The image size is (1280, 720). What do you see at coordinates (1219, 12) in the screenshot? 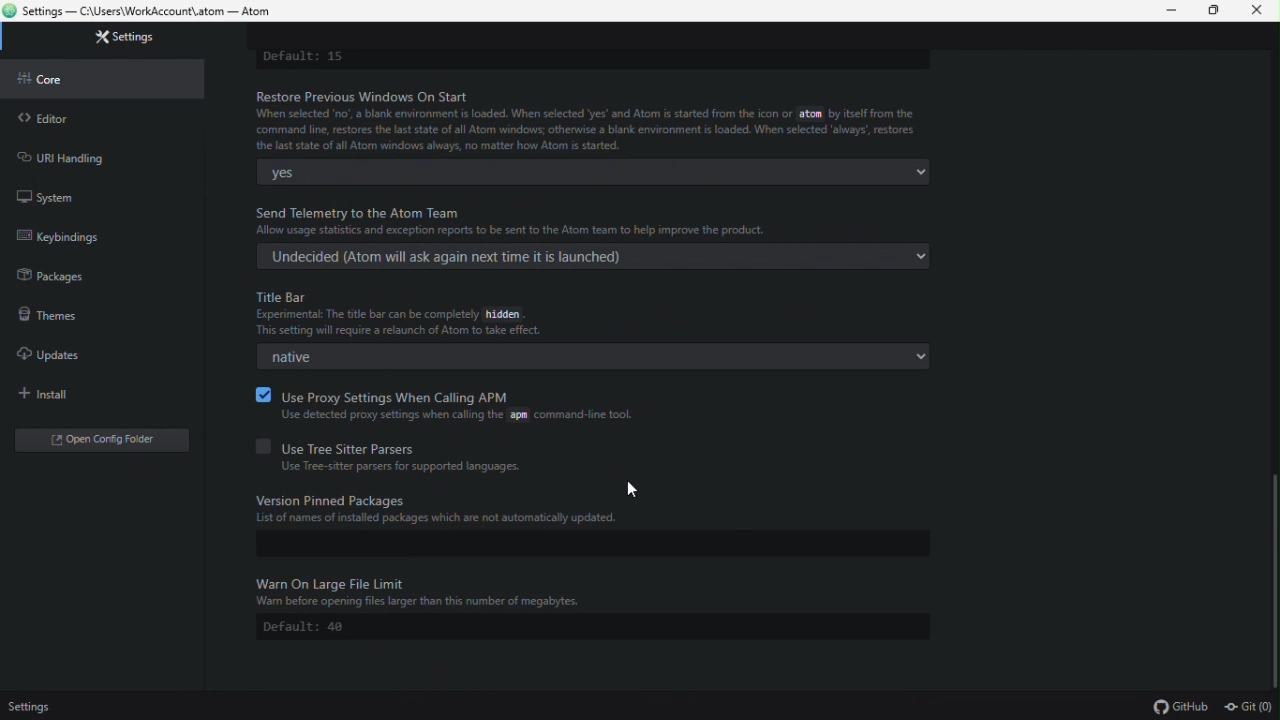
I see `restore` at bounding box center [1219, 12].